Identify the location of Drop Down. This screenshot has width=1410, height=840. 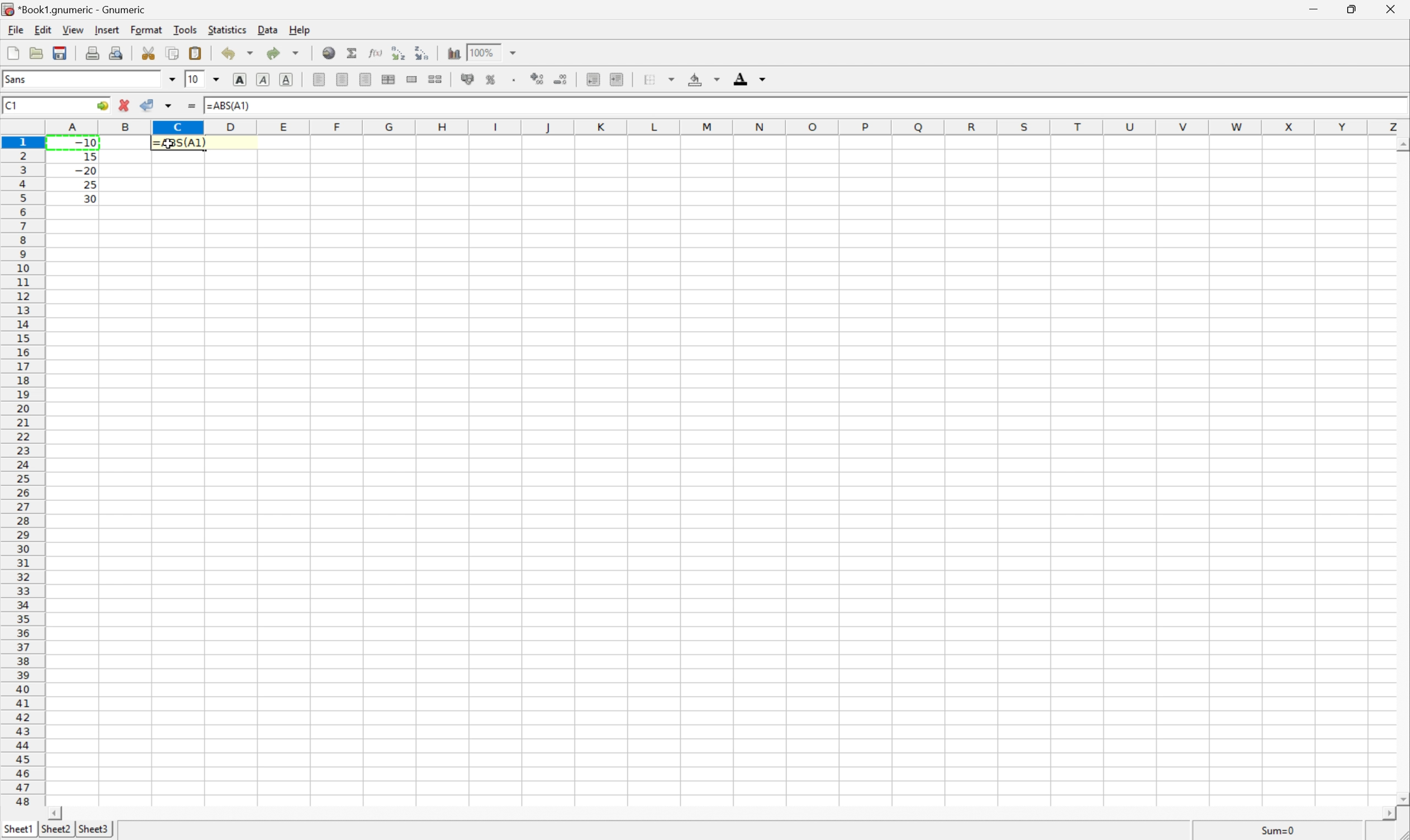
(171, 79).